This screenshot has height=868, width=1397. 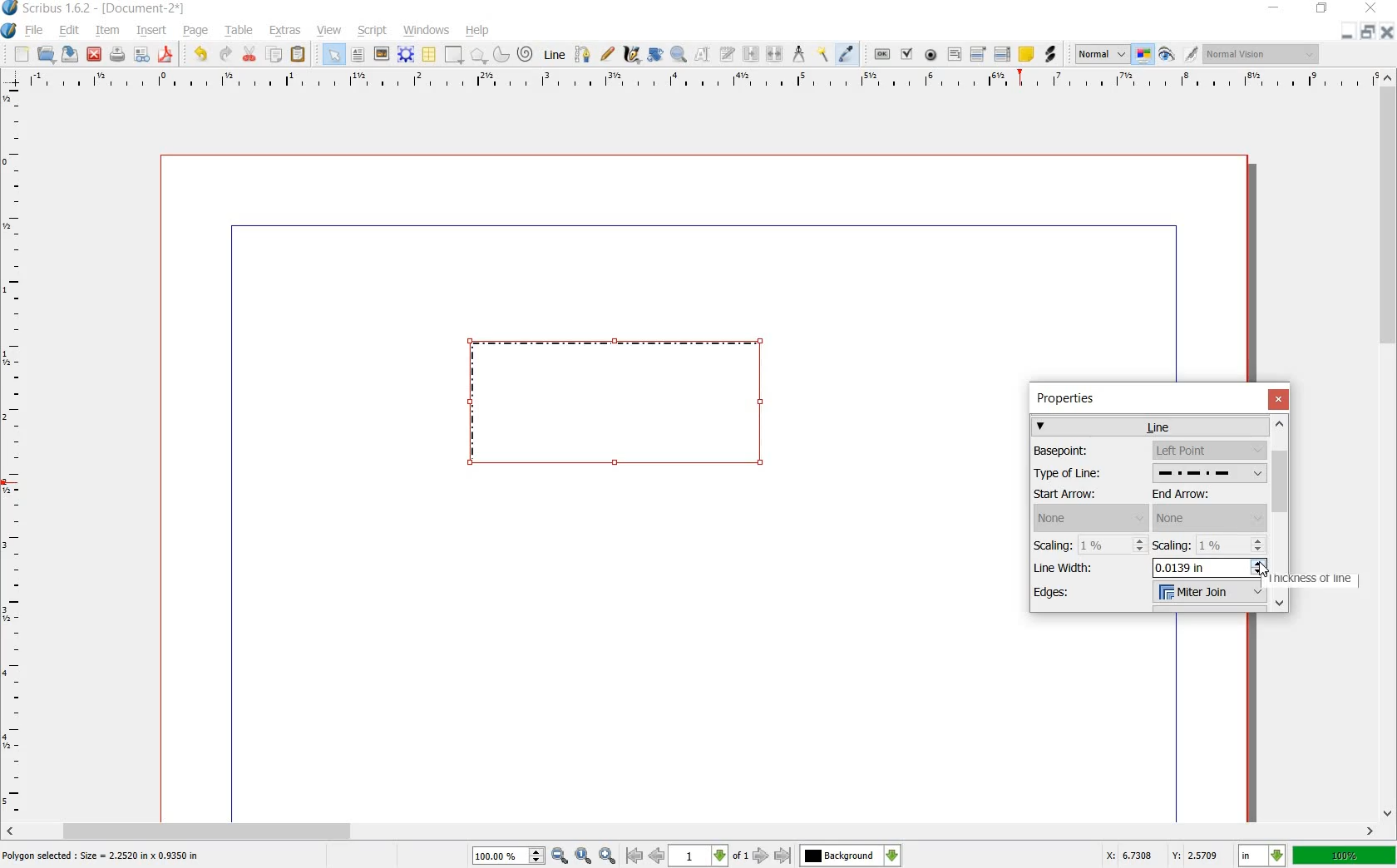 I want to click on LINK ANNOTATION, so click(x=1051, y=55).